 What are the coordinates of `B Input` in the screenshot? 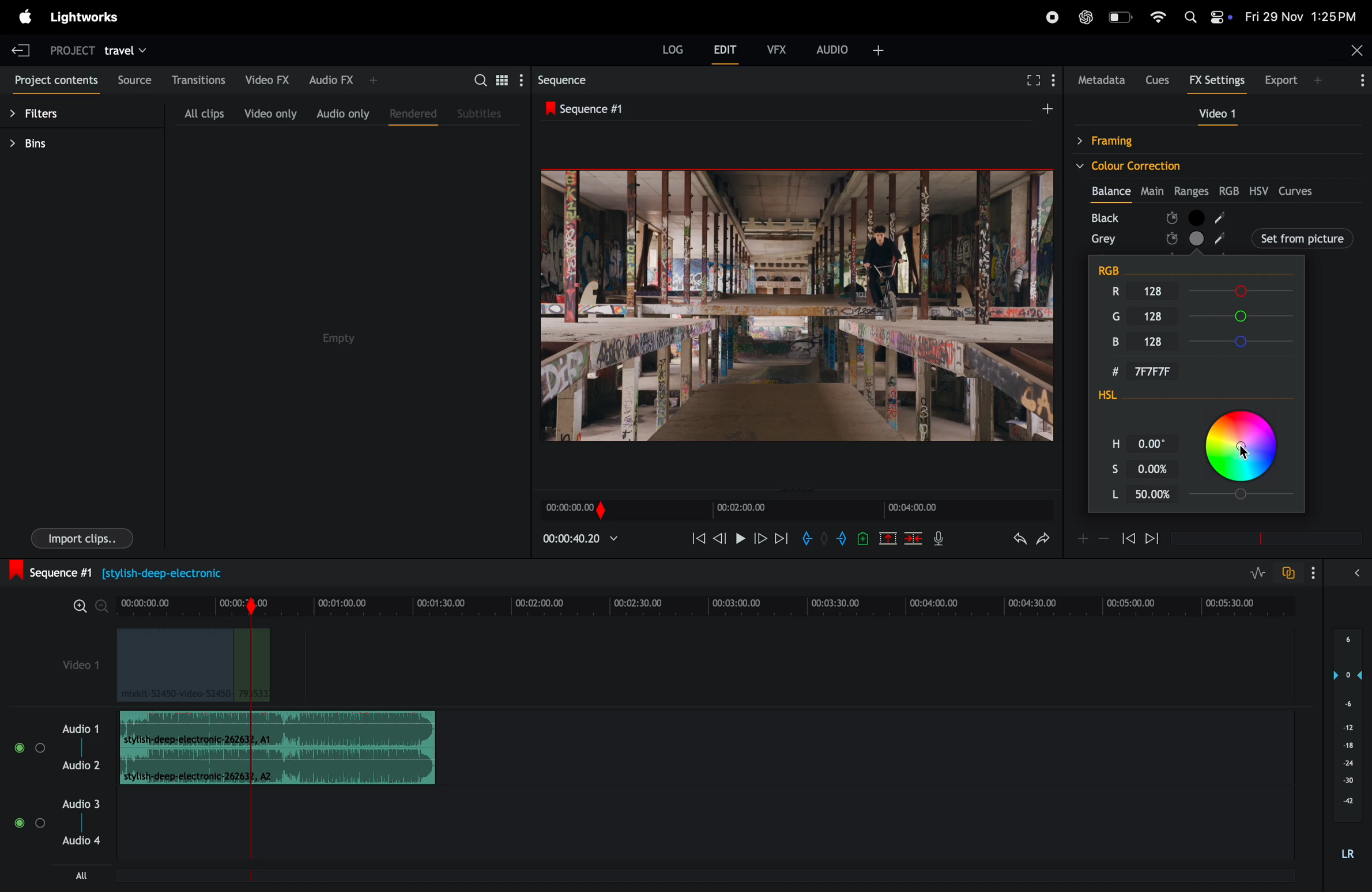 It's located at (1162, 341).